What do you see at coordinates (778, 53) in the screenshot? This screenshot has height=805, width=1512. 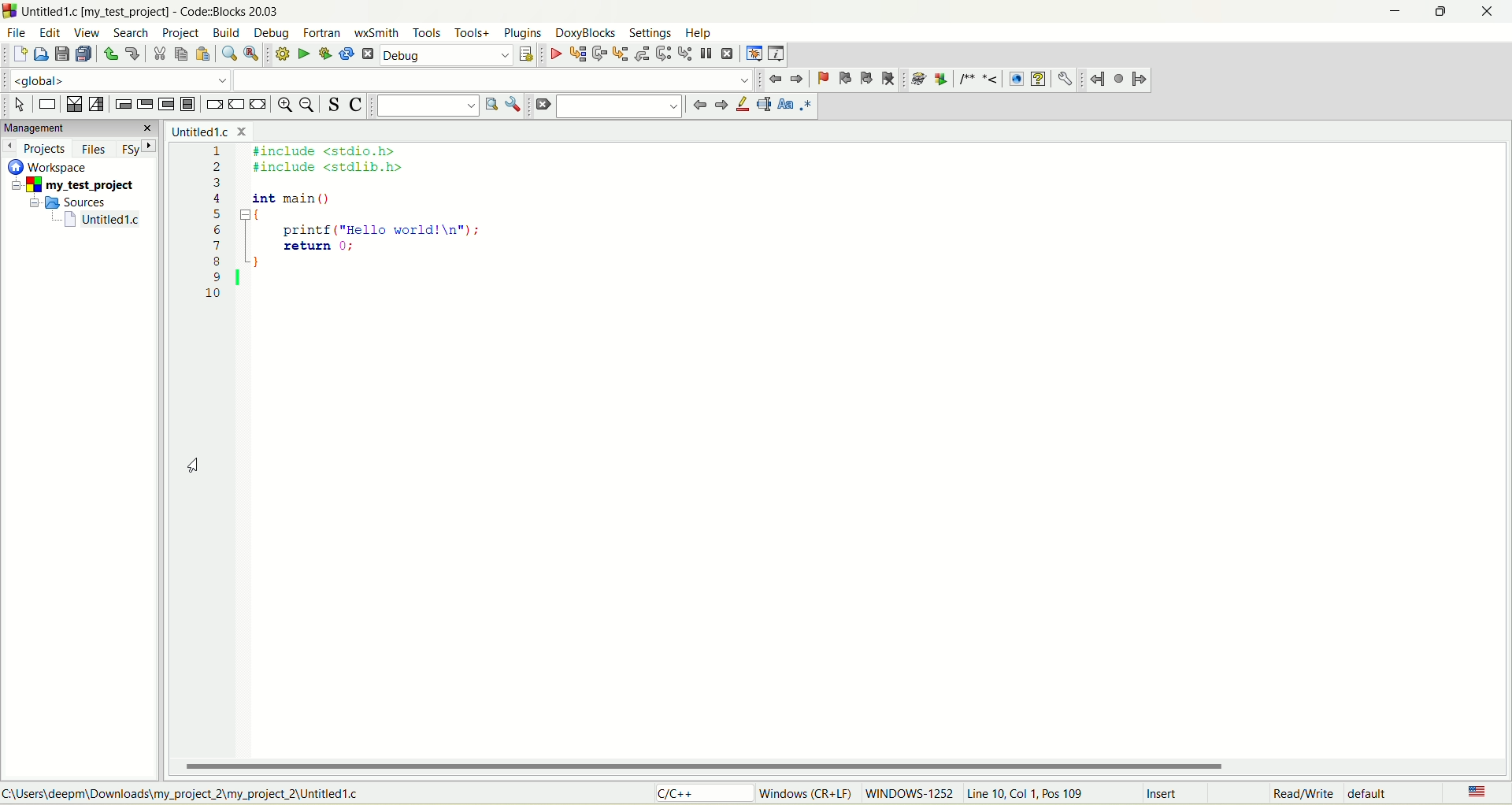 I see `various info` at bounding box center [778, 53].